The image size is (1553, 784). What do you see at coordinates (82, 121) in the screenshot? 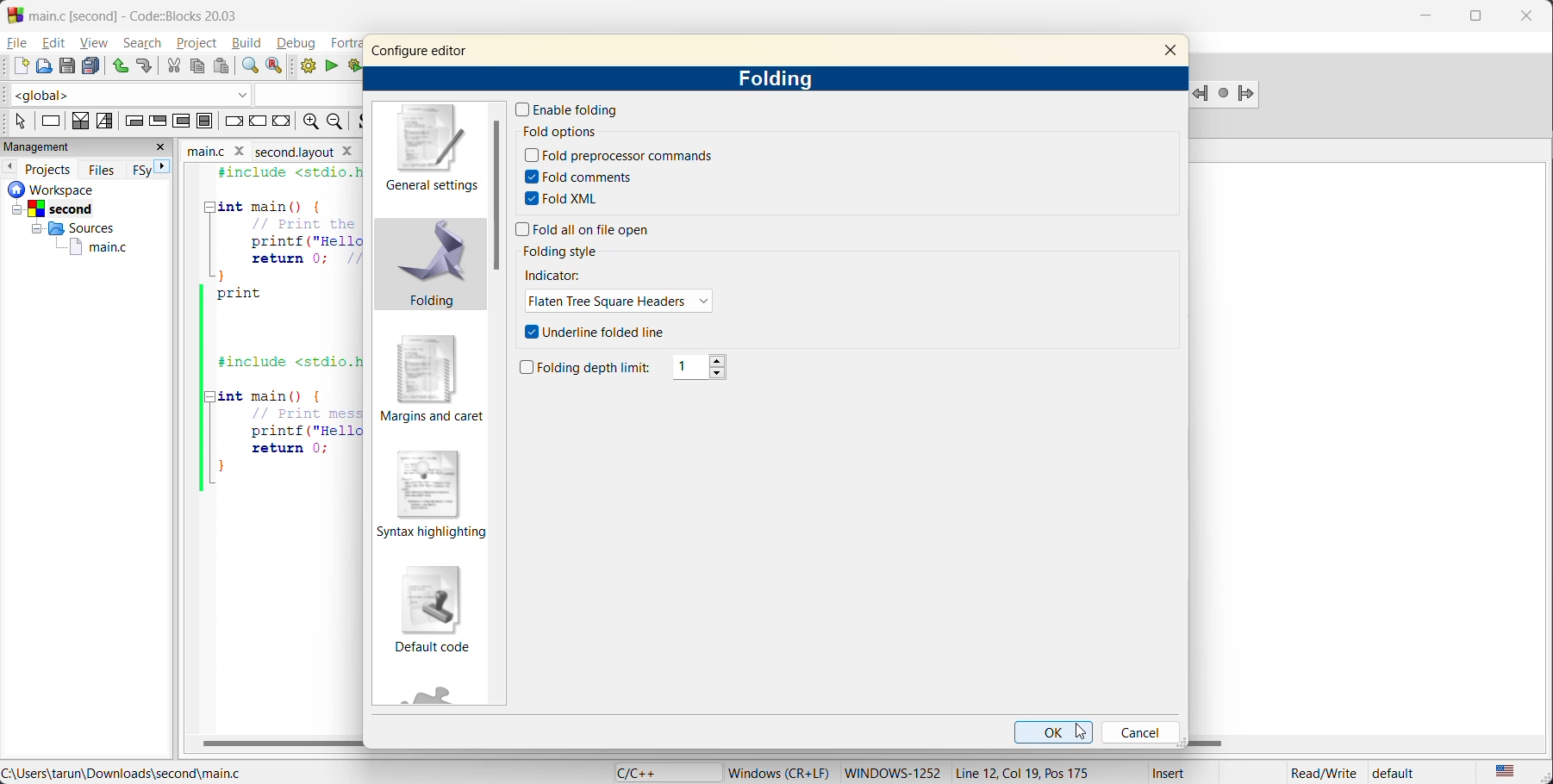
I see `decision` at bounding box center [82, 121].